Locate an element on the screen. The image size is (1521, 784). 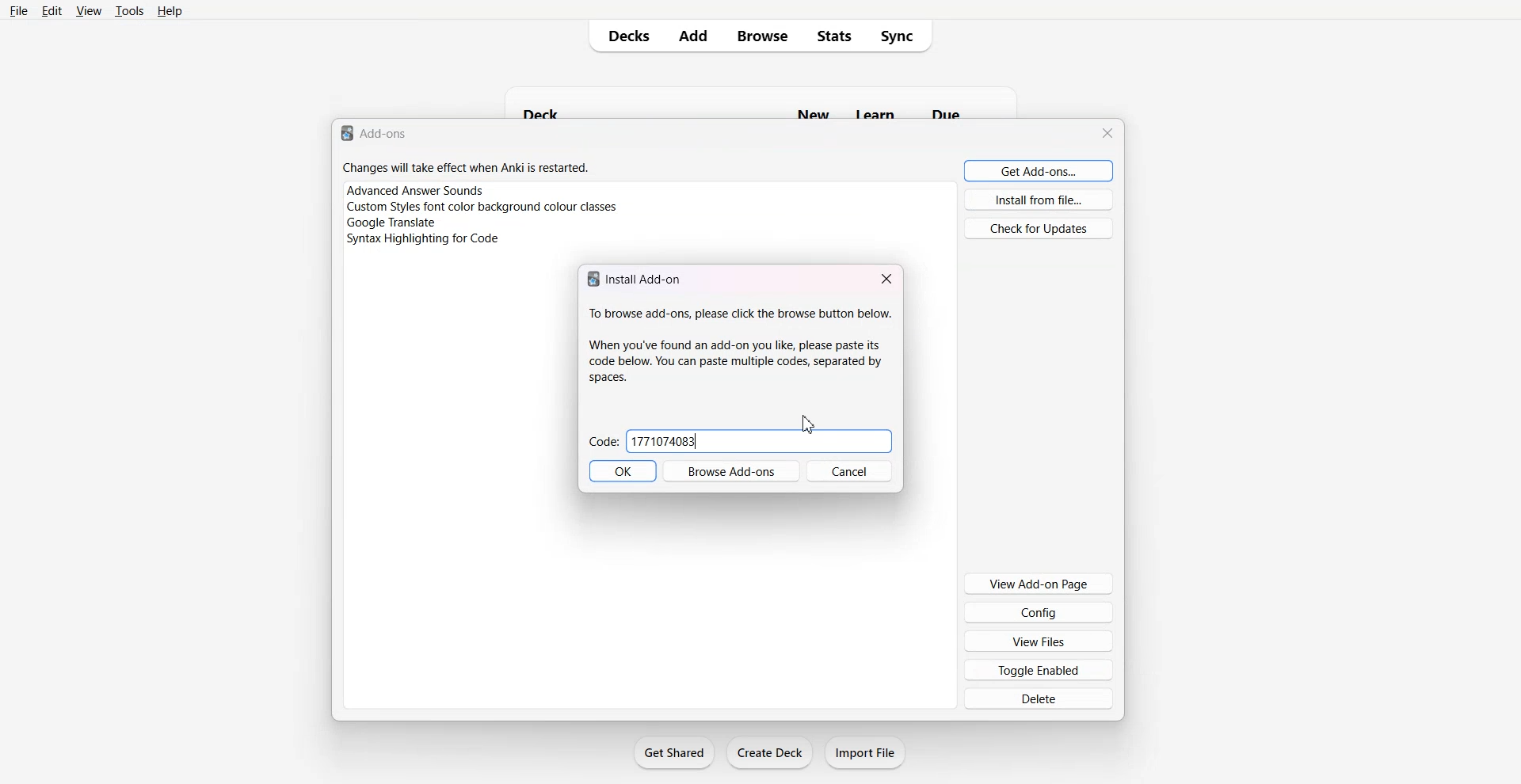
File is located at coordinates (19, 11).